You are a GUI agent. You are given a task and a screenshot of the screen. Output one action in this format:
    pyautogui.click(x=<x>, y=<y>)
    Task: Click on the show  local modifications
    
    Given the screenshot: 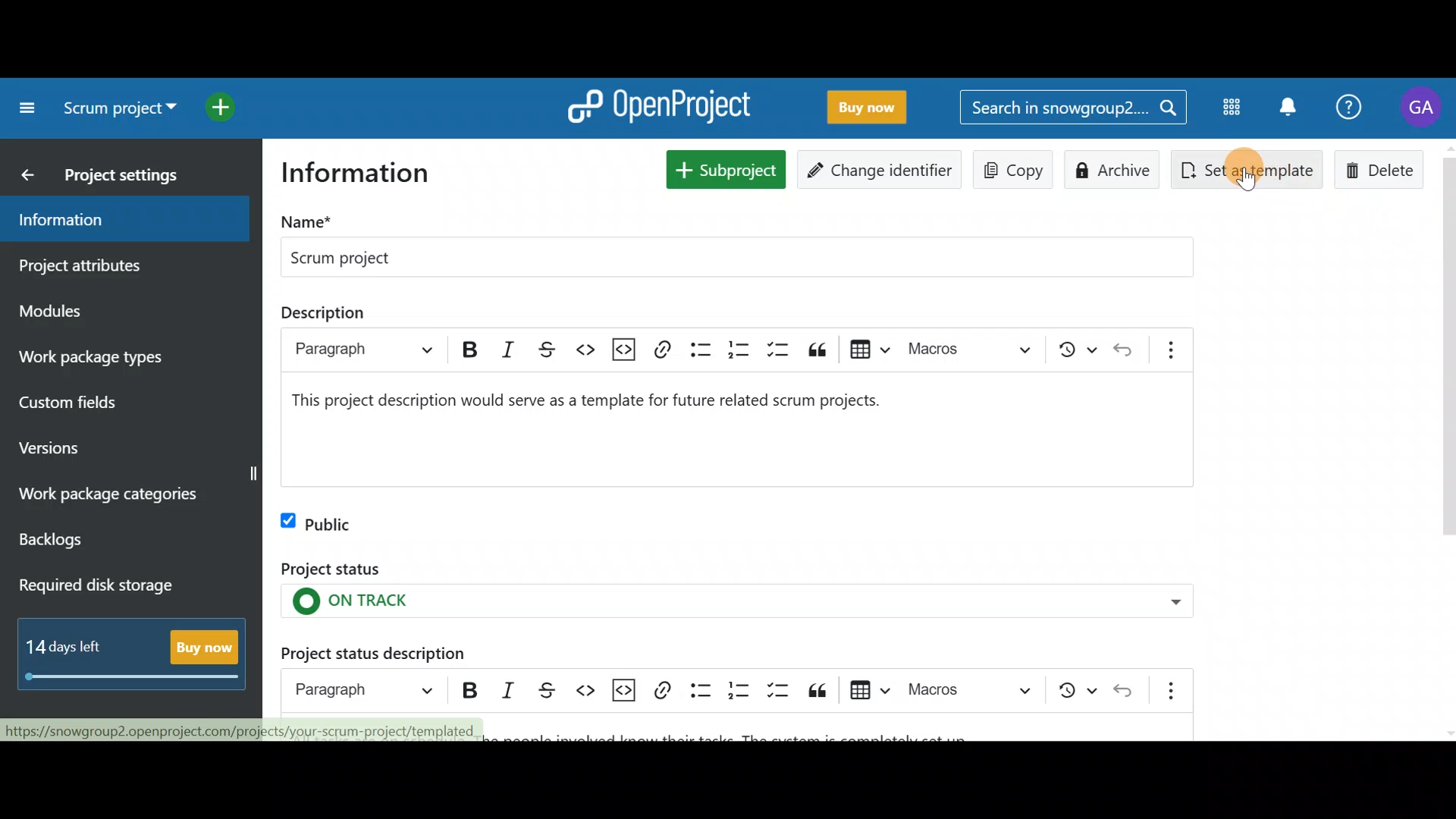 What is the action you would take?
    pyautogui.click(x=1076, y=349)
    